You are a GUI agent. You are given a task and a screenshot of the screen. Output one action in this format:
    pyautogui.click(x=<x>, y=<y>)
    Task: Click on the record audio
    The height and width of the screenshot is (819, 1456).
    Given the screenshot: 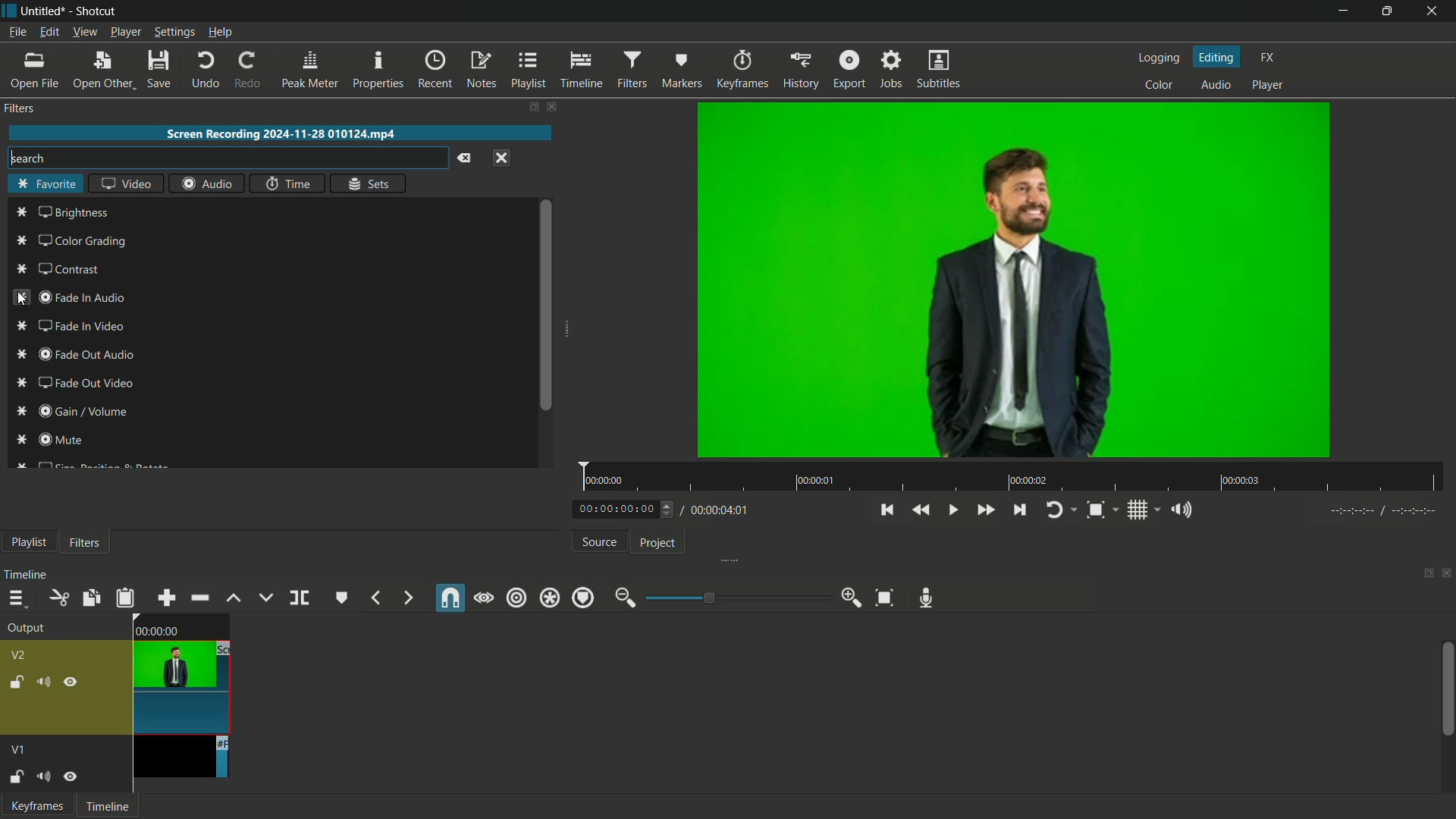 What is the action you would take?
    pyautogui.click(x=929, y=598)
    